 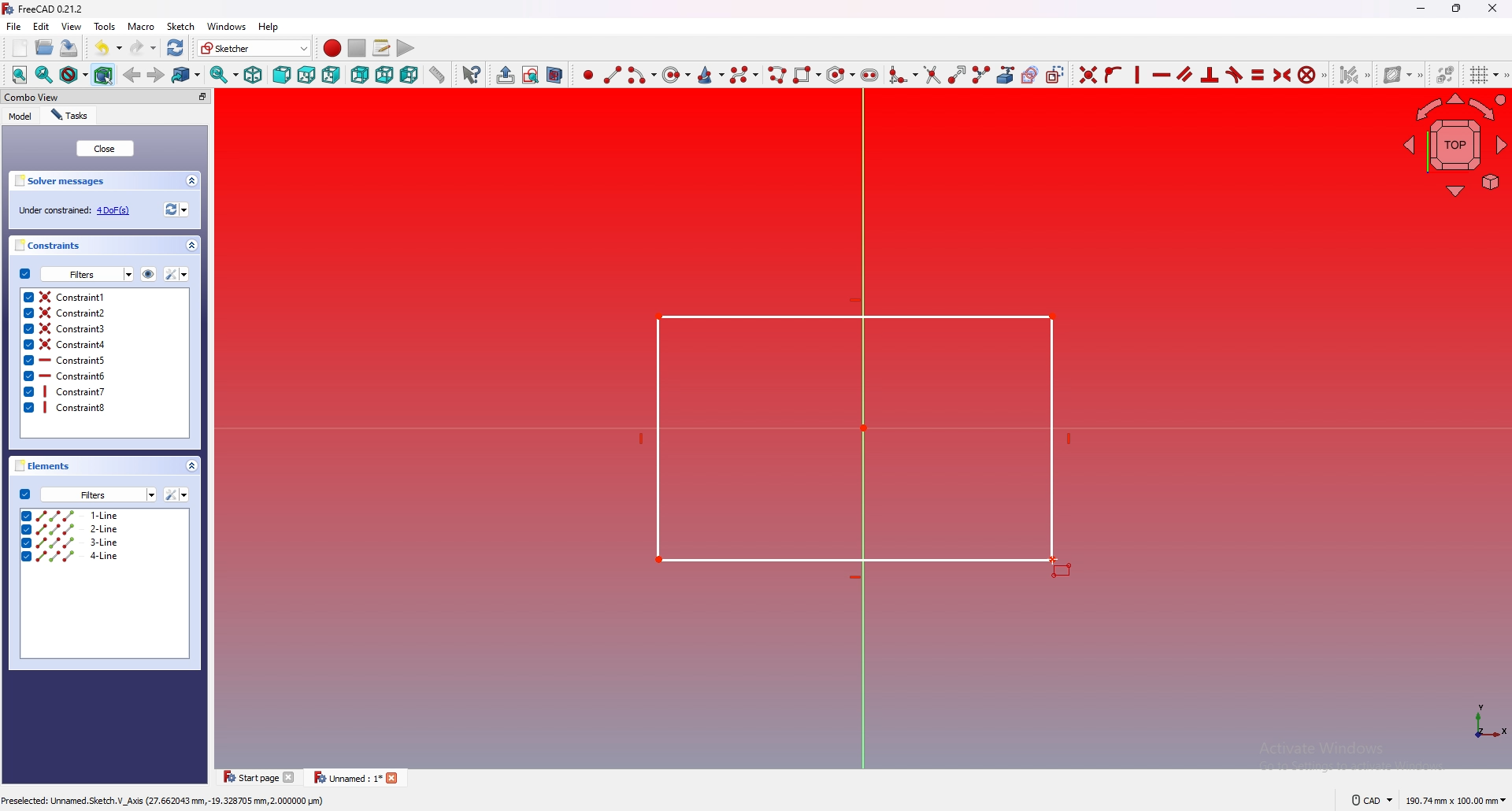 I want to click on constraint 3, so click(x=103, y=328).